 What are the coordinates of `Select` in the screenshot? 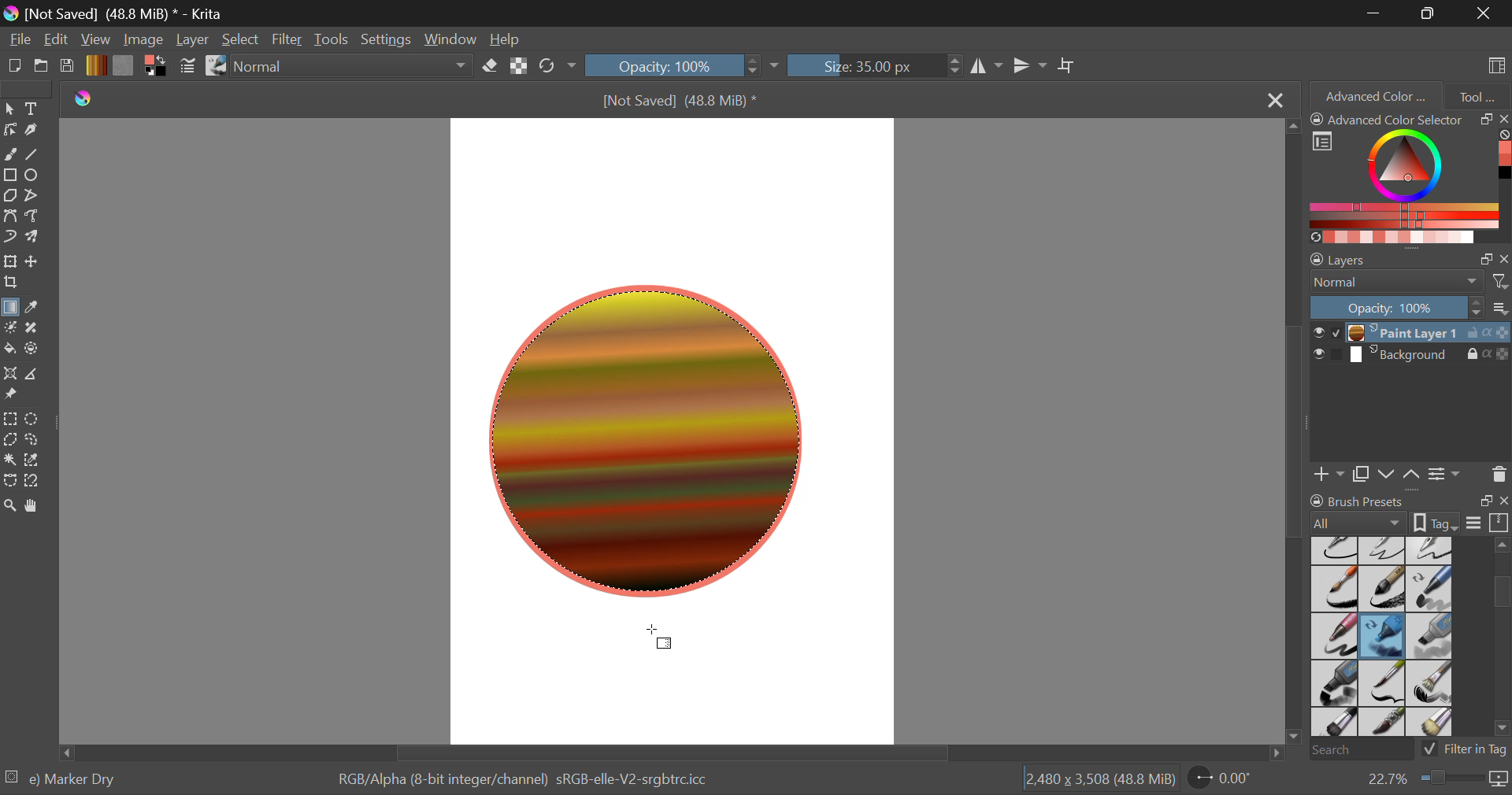 It's located at (9, 109).